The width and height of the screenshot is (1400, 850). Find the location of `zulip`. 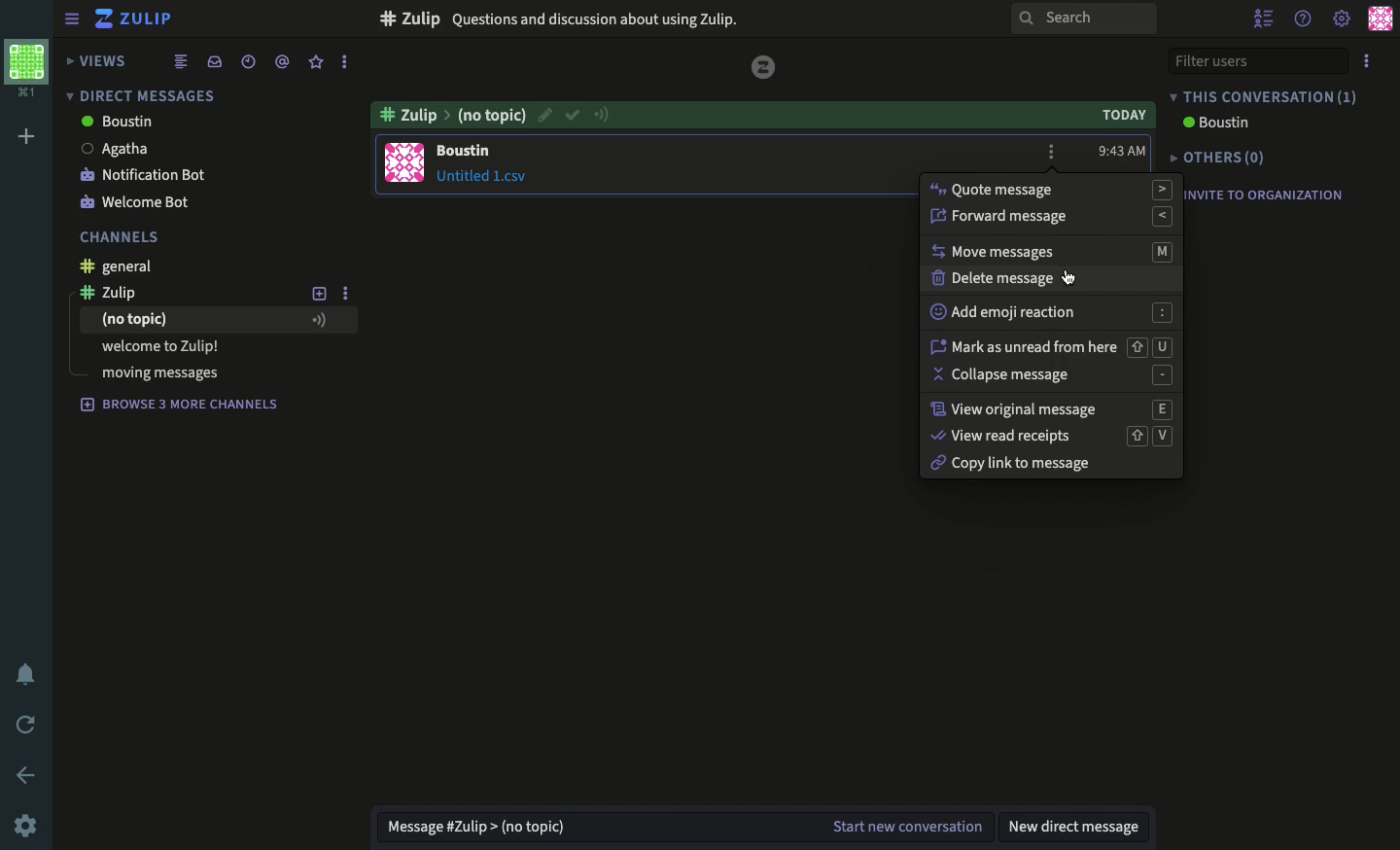

zulip is located at coordinates (765, 64).